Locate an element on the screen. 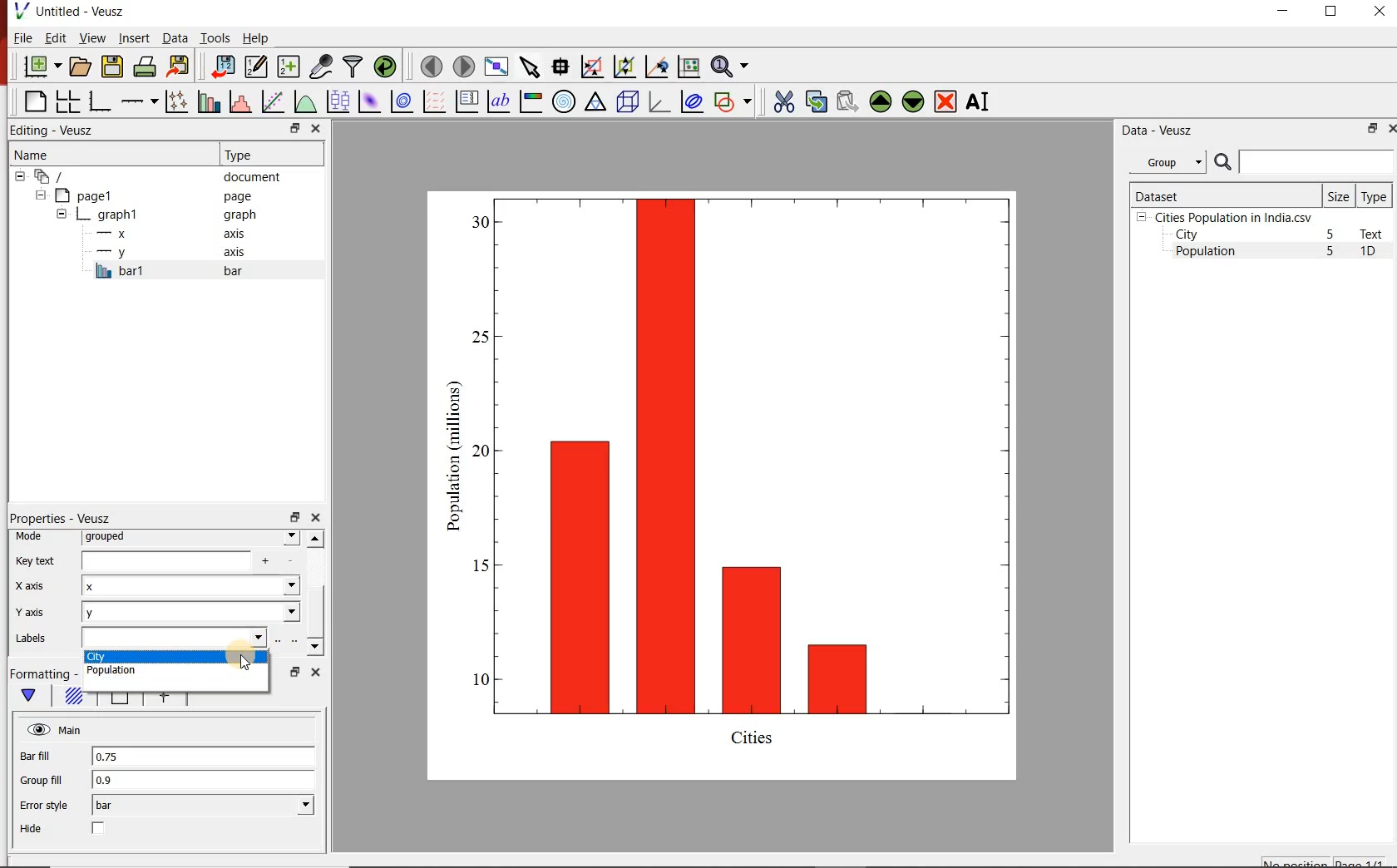 Image resolution: width=1397 pixels, height=868 pixels. View is located at coordinates (89, 37).